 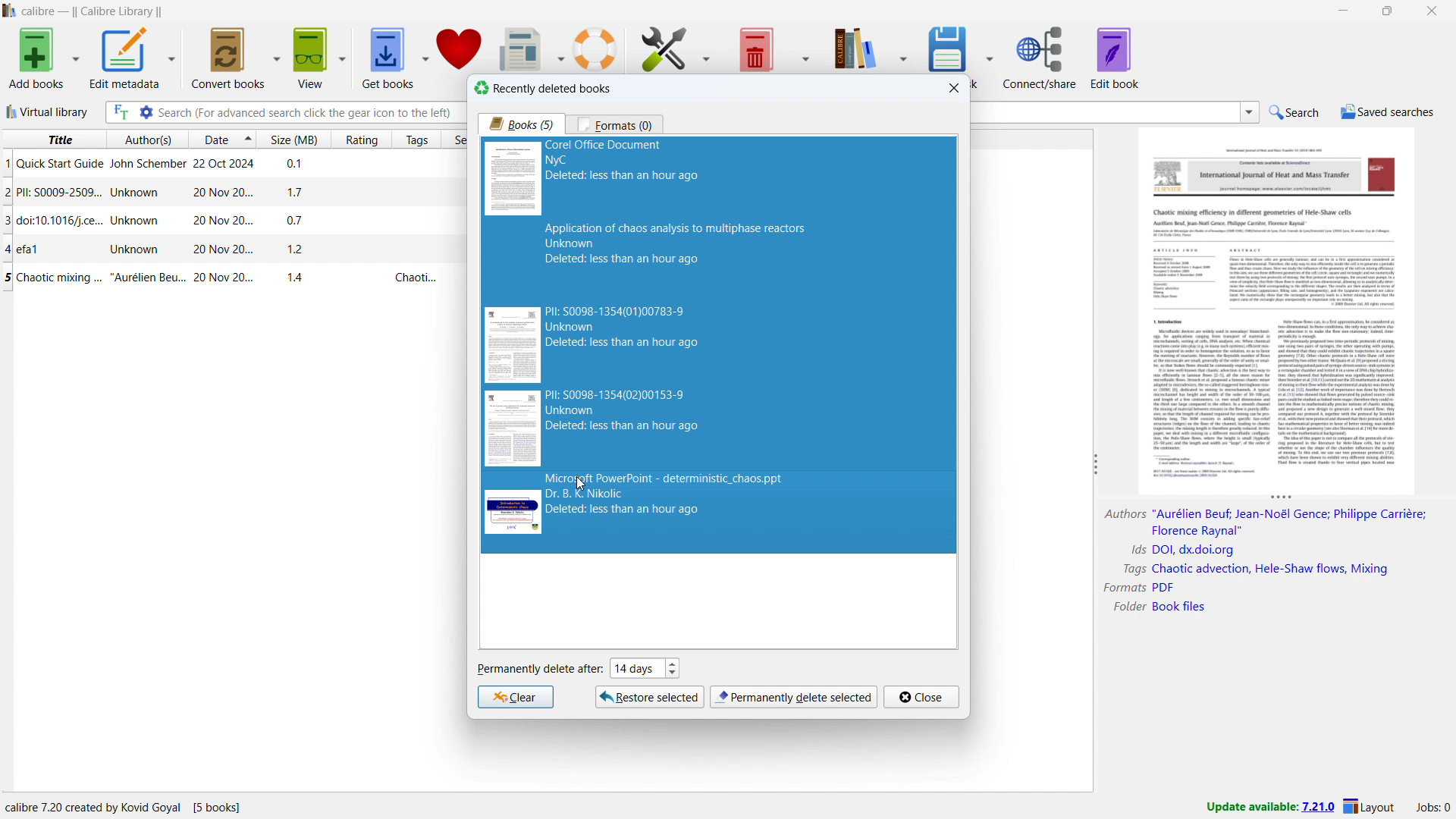 What do you see at coordinates (1115, 57) in the screenshot?
I see `edit book` at bounding box center [1115, 57].